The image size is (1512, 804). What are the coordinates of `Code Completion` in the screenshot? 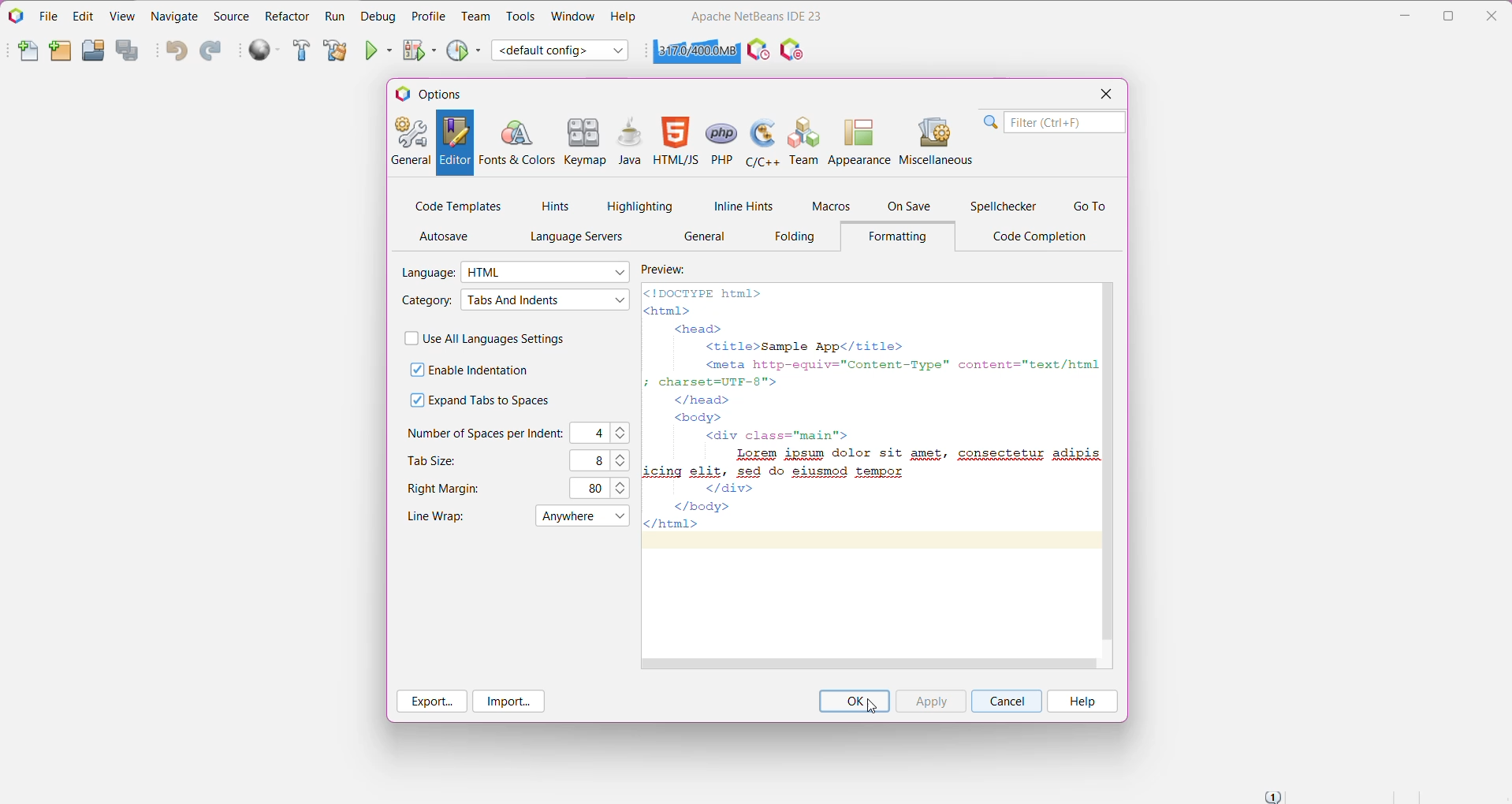 It's located at (1044, 237).